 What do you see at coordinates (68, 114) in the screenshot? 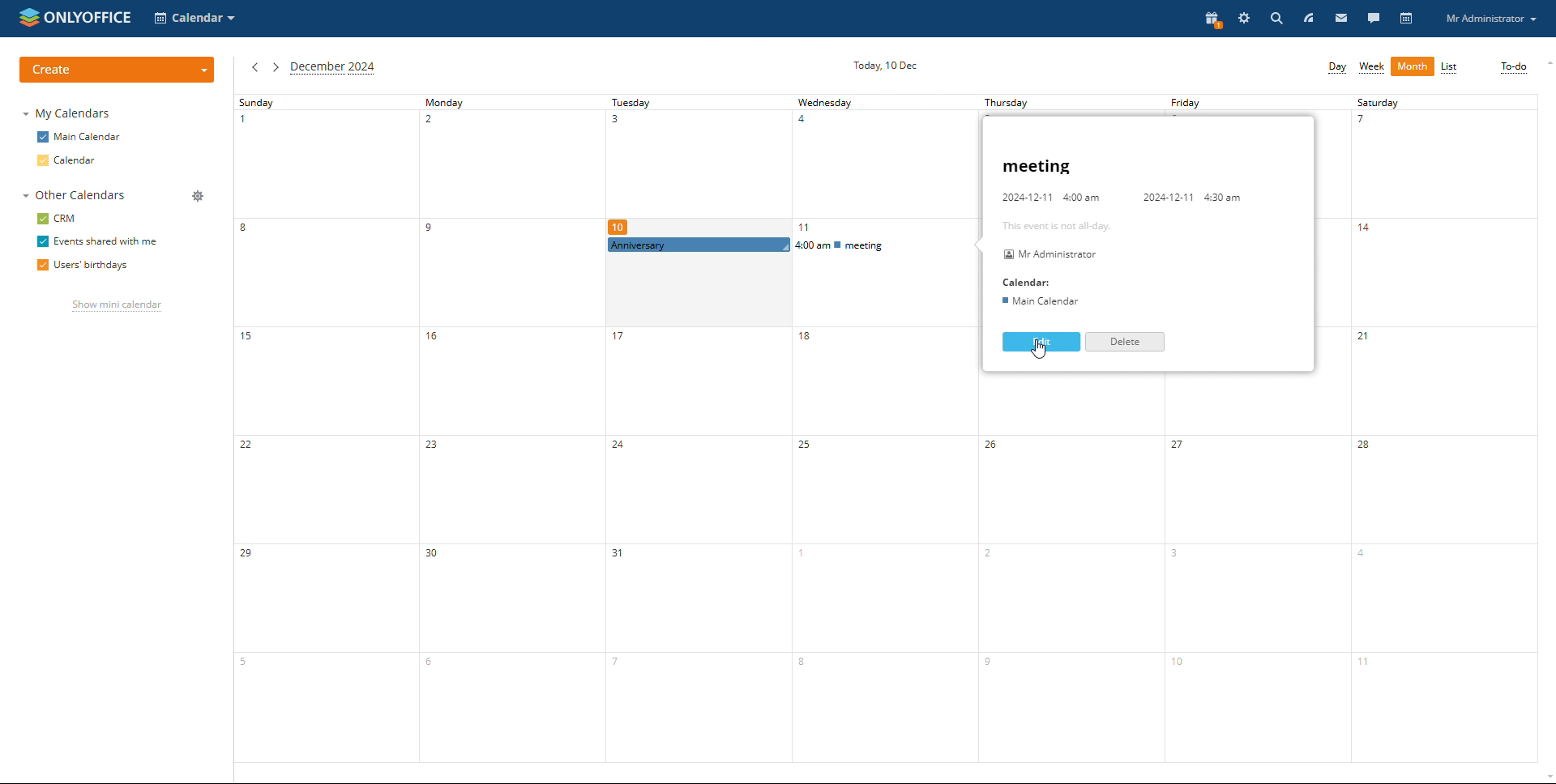
I see `my calendars` at bounding box center [68, 114].